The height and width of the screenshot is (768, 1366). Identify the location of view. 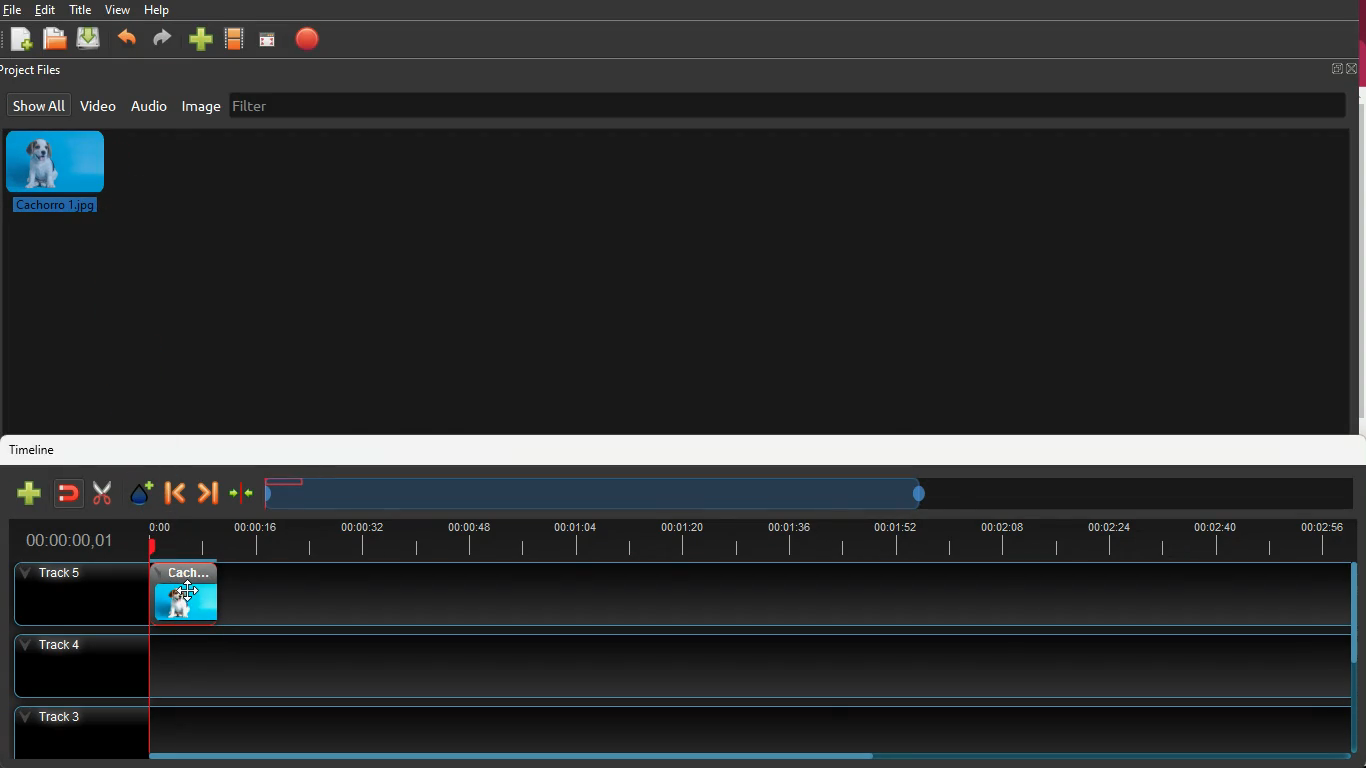
(120, 11).